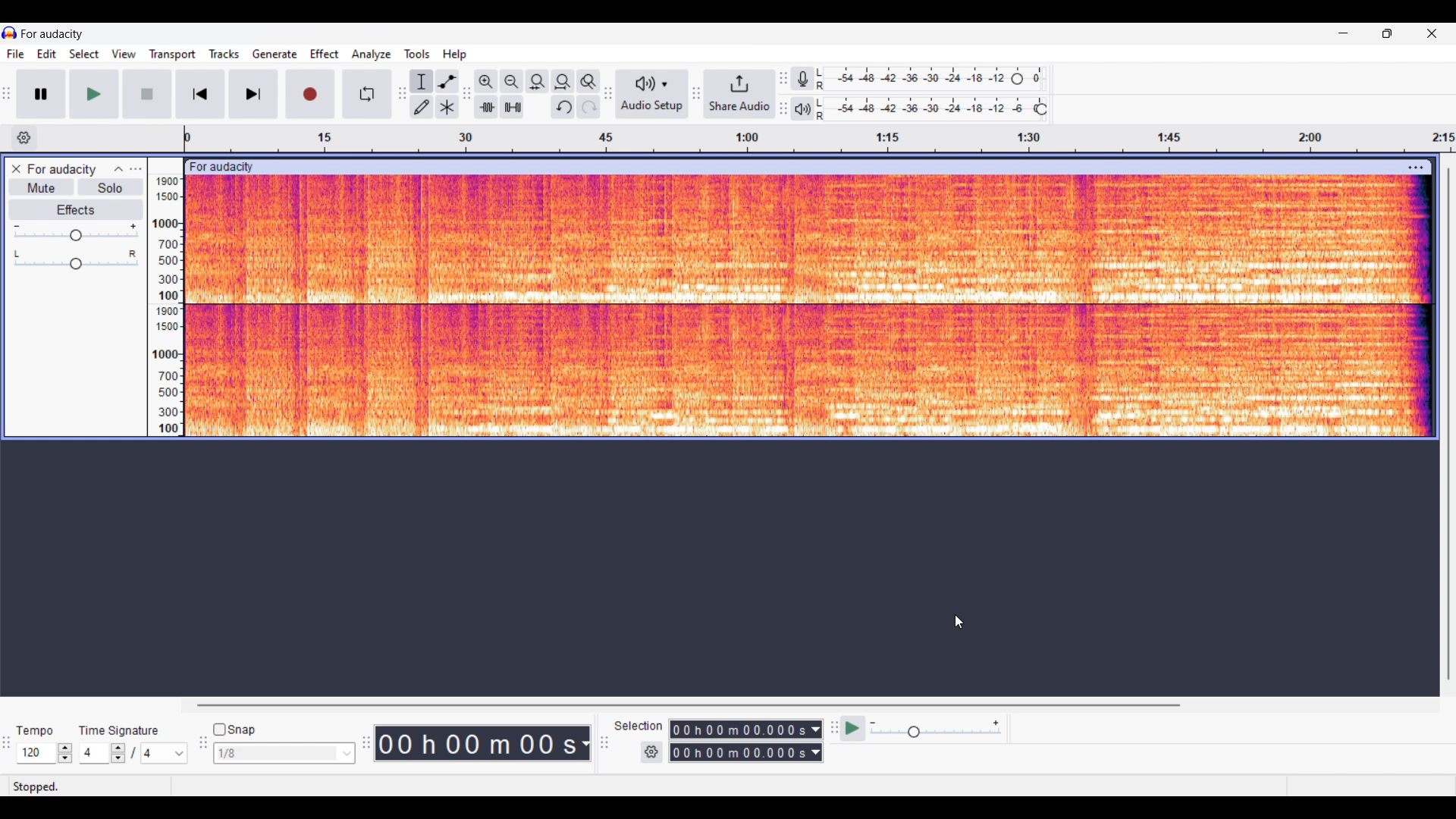 The width and height of the screenshot is (1456, 819). What do you see at coordinates (234, 730) in the screenshot?
I see `Snap toggle` at bounding box center [234, 730].